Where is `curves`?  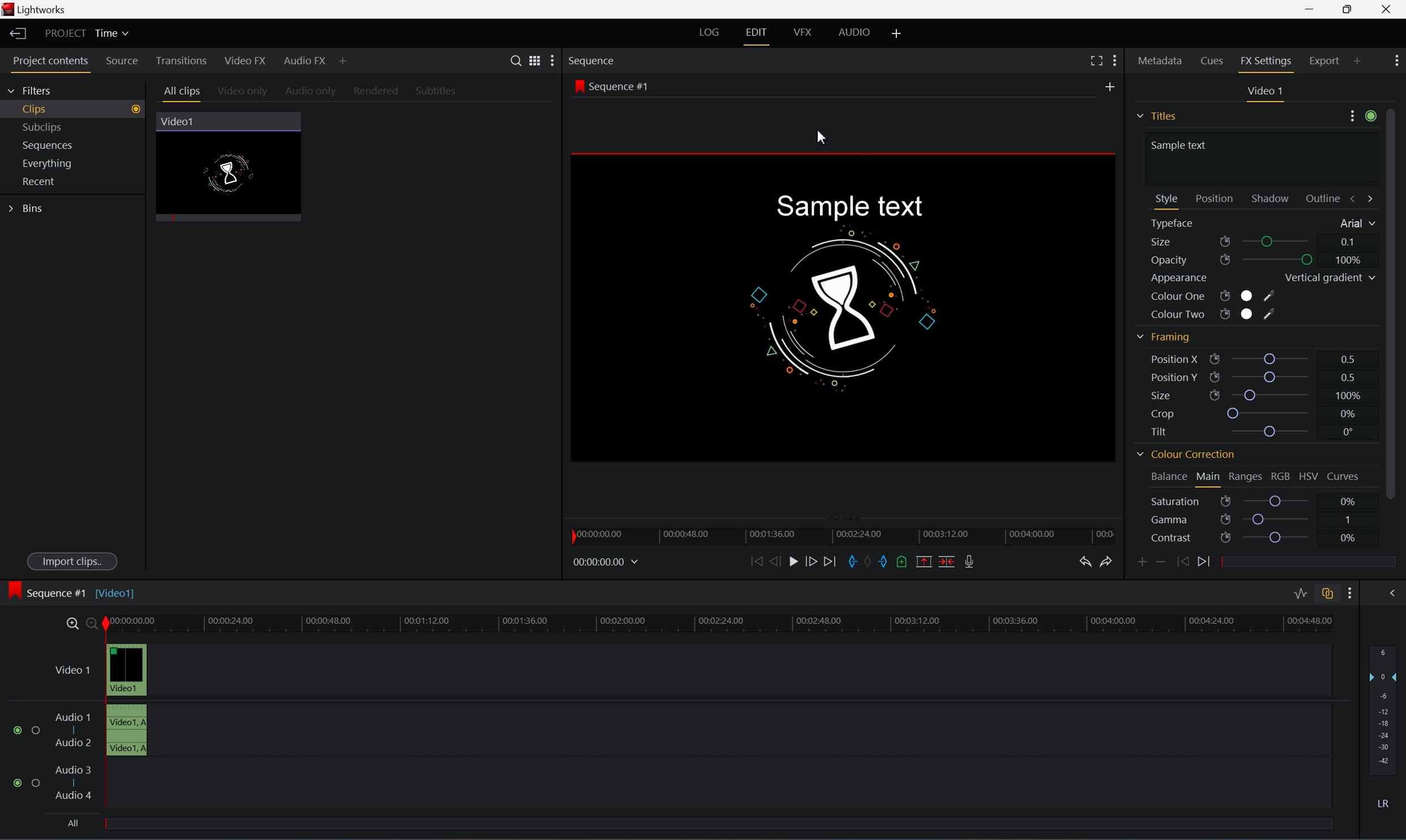 curves is located at coordinates (1344, 477).